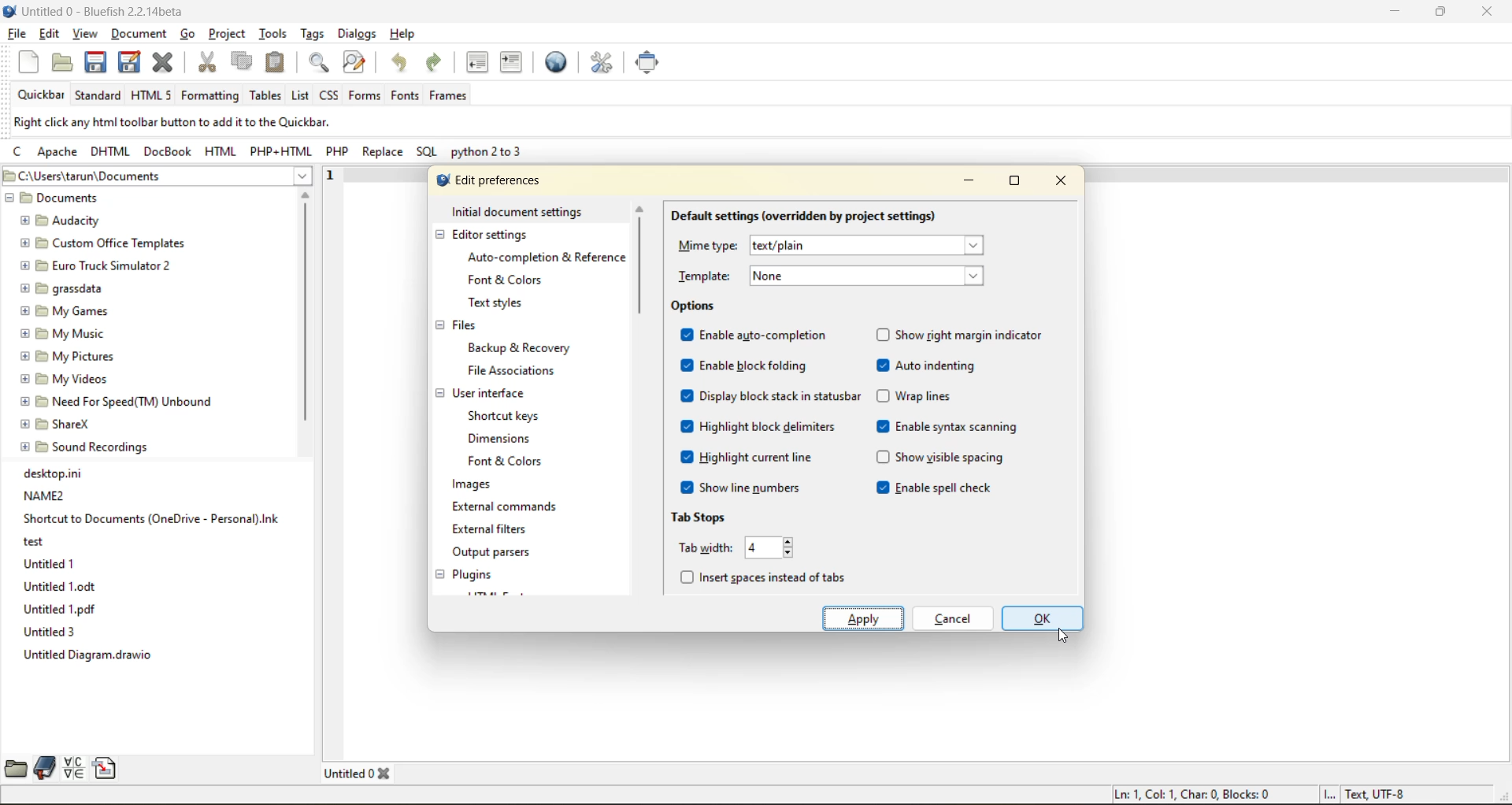 Image resolution: width=1512 pixels, height=805 pixels. Describe the element at coordinates (358, 33) in the screenshot. I see `dialogs` at that location.